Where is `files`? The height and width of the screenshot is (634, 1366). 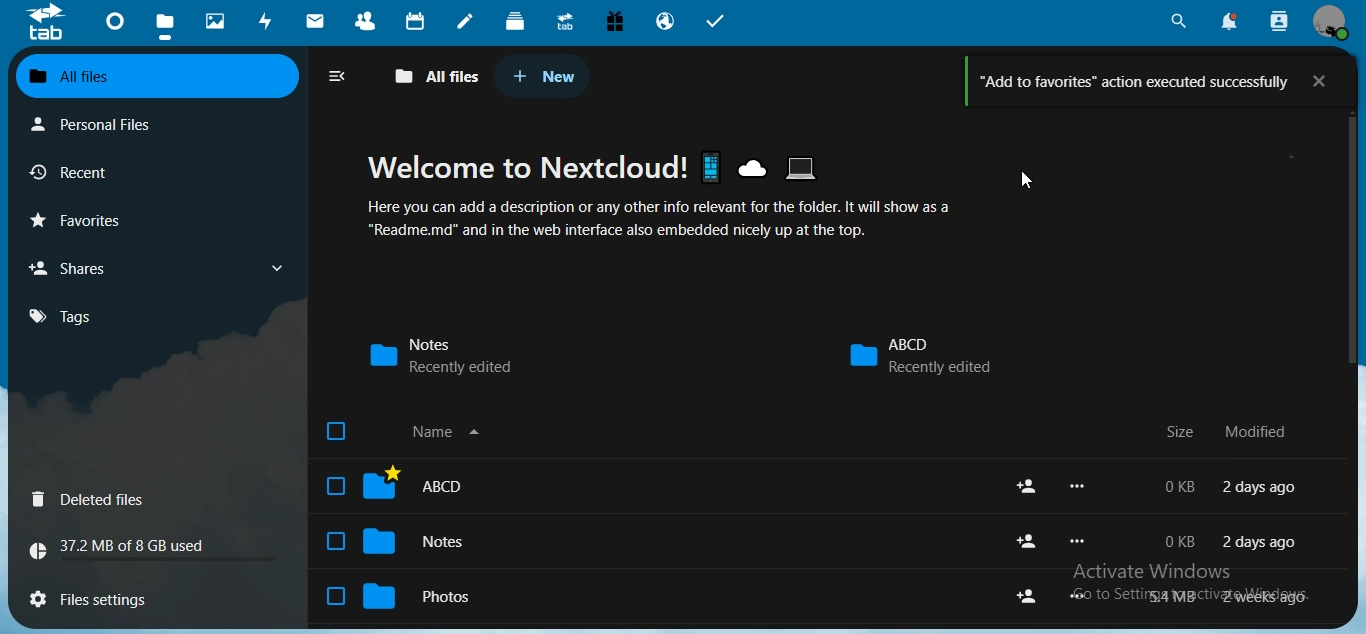
files is located at coordinates (168, 19).